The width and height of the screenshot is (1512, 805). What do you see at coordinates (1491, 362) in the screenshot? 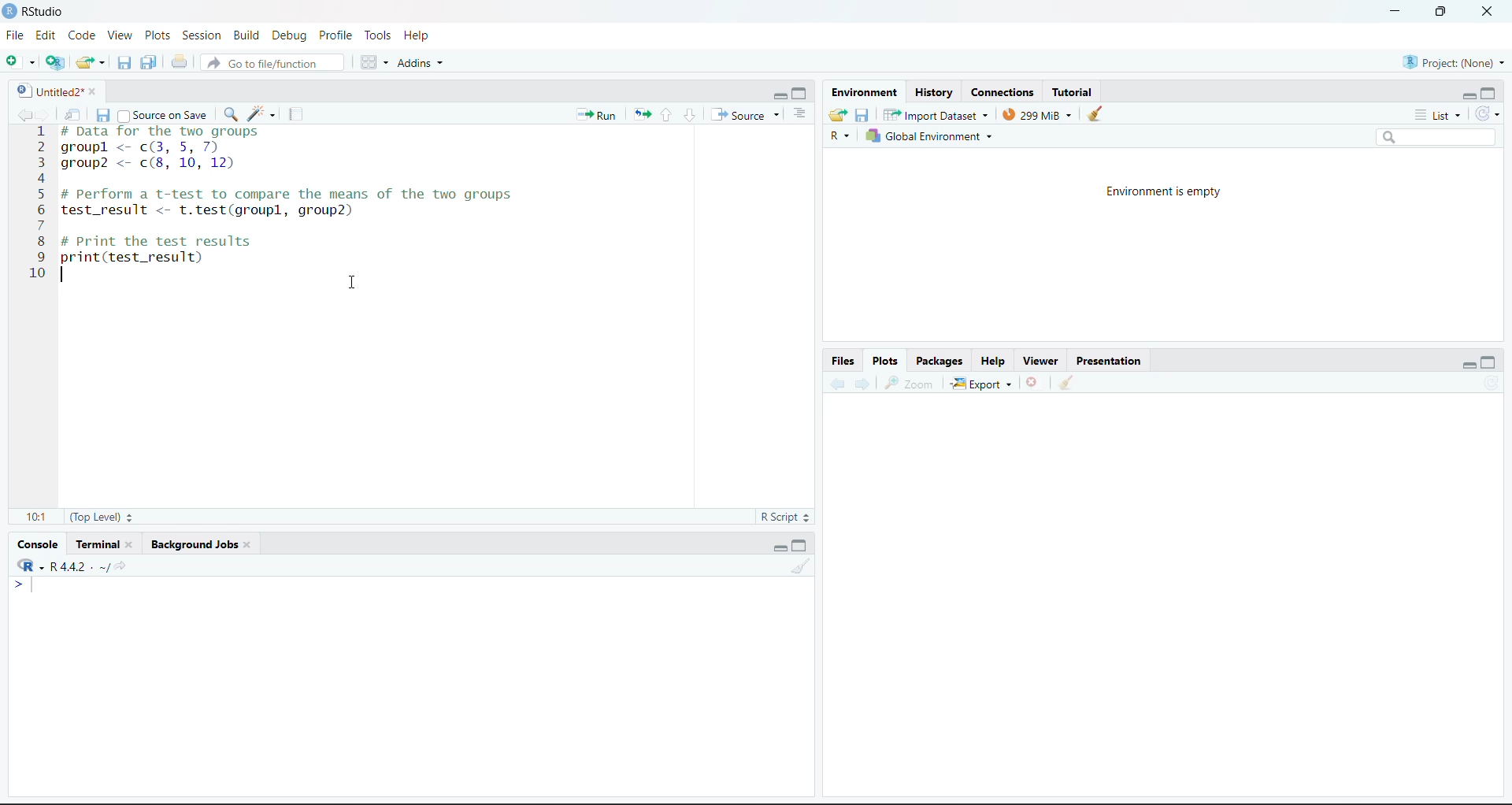
I see `maximize` at bounding box center [1491, 362].